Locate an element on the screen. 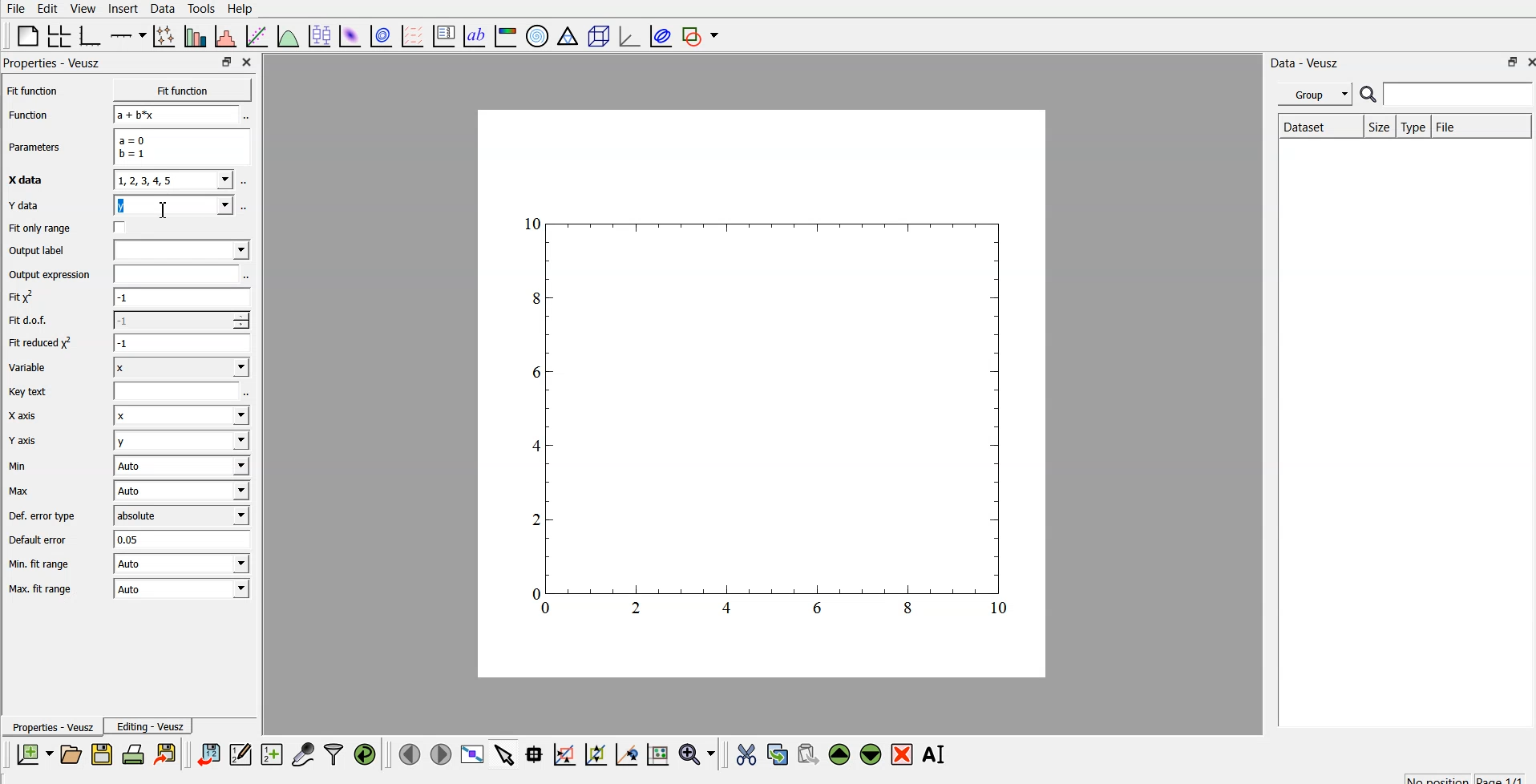  edit and  enter new data sets is located at coordinates (243, 755).